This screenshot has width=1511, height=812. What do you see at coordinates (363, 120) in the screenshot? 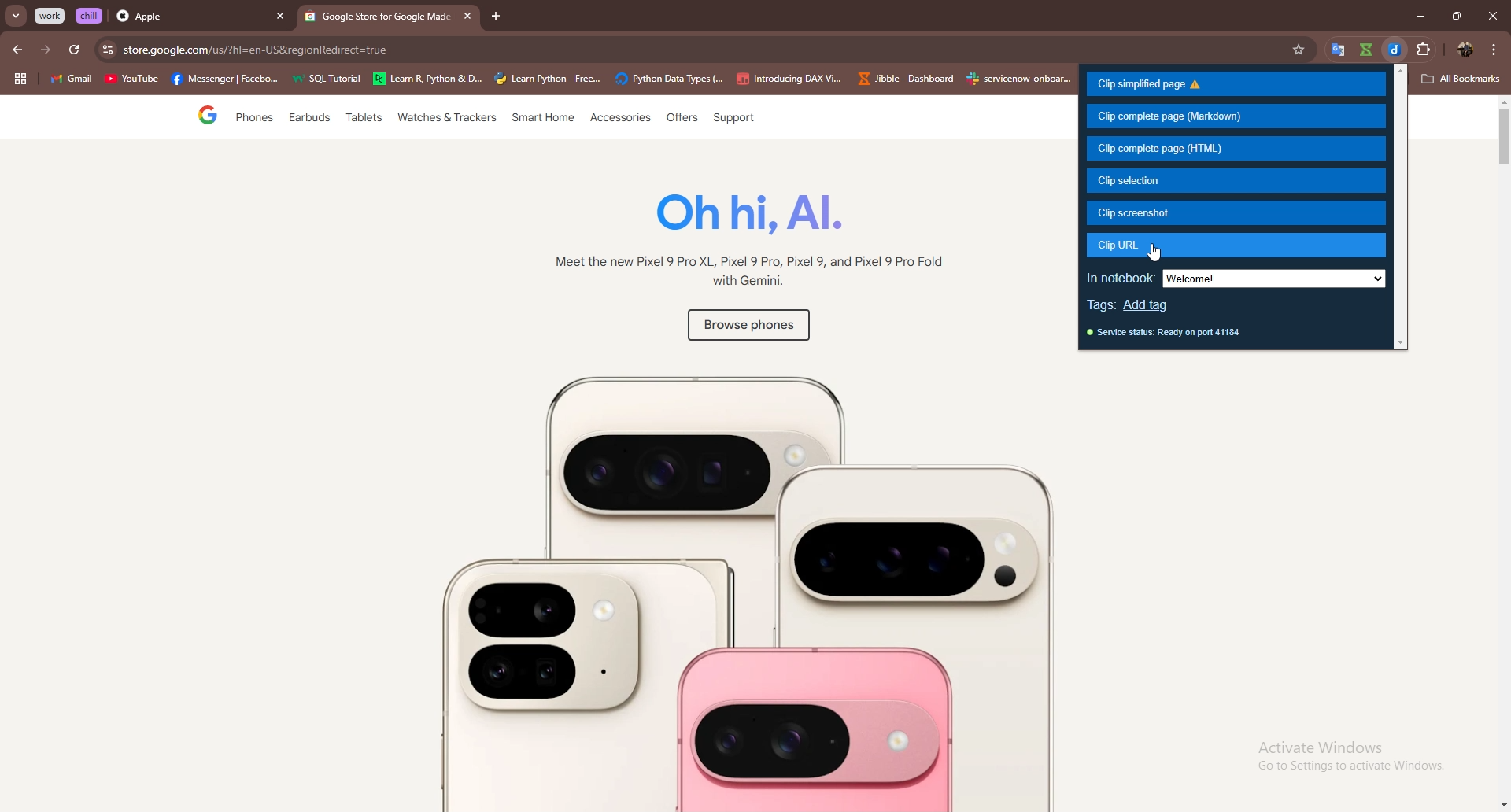
I see `Tablets` at bounding box center [363, 120].